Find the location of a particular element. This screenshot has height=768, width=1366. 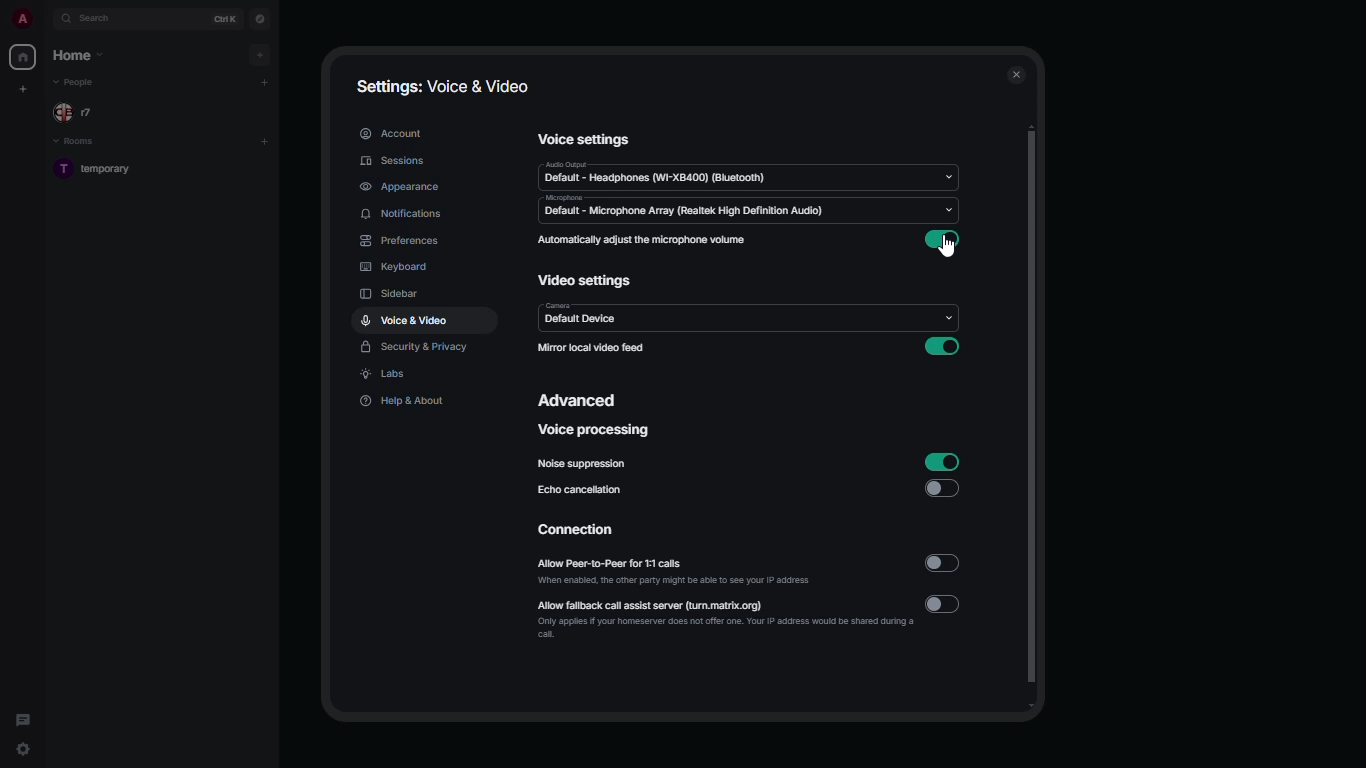

people is located at coordinates (79, 83).